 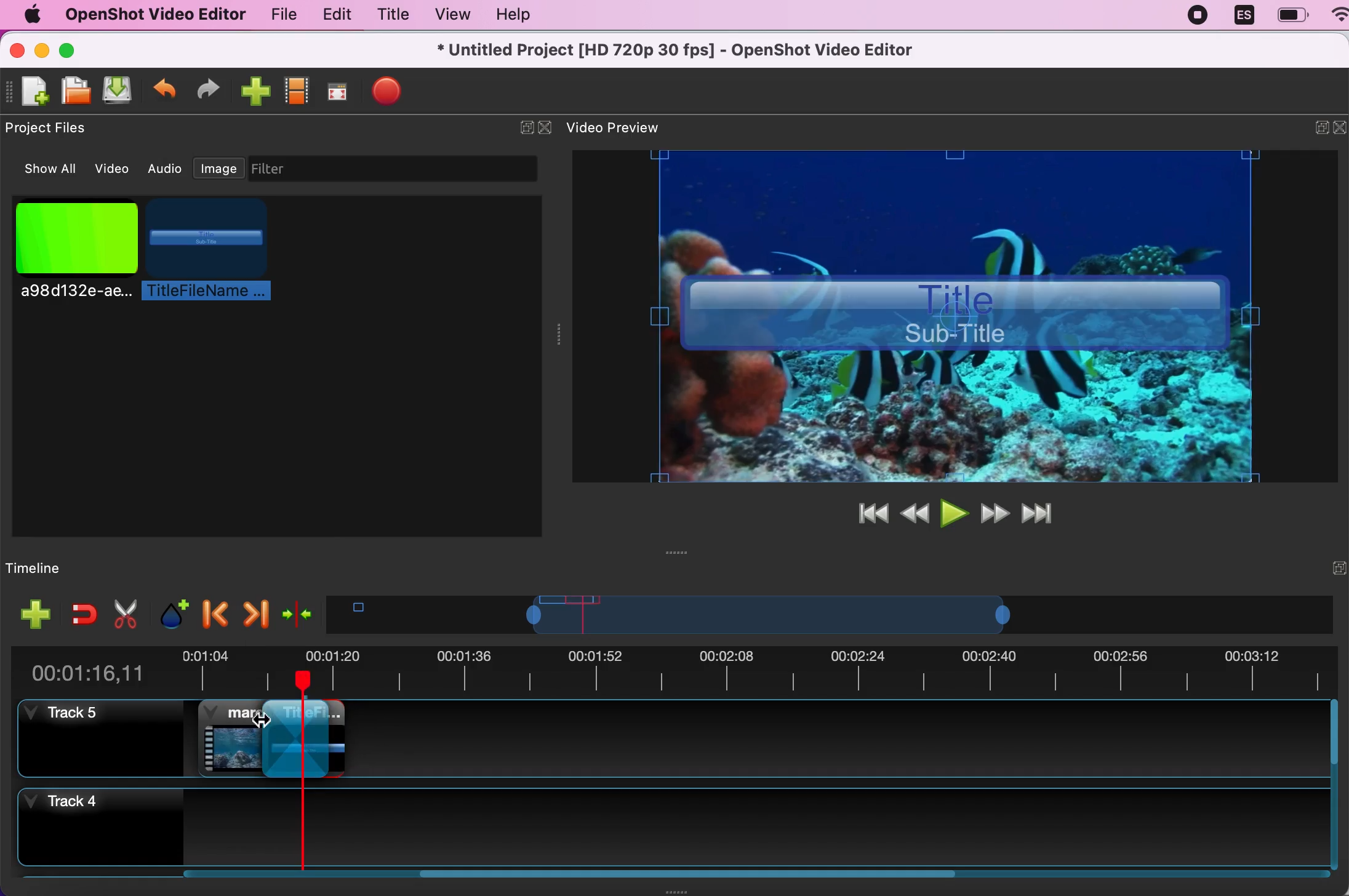 I want to click on language, so click(x=1244, y=17).